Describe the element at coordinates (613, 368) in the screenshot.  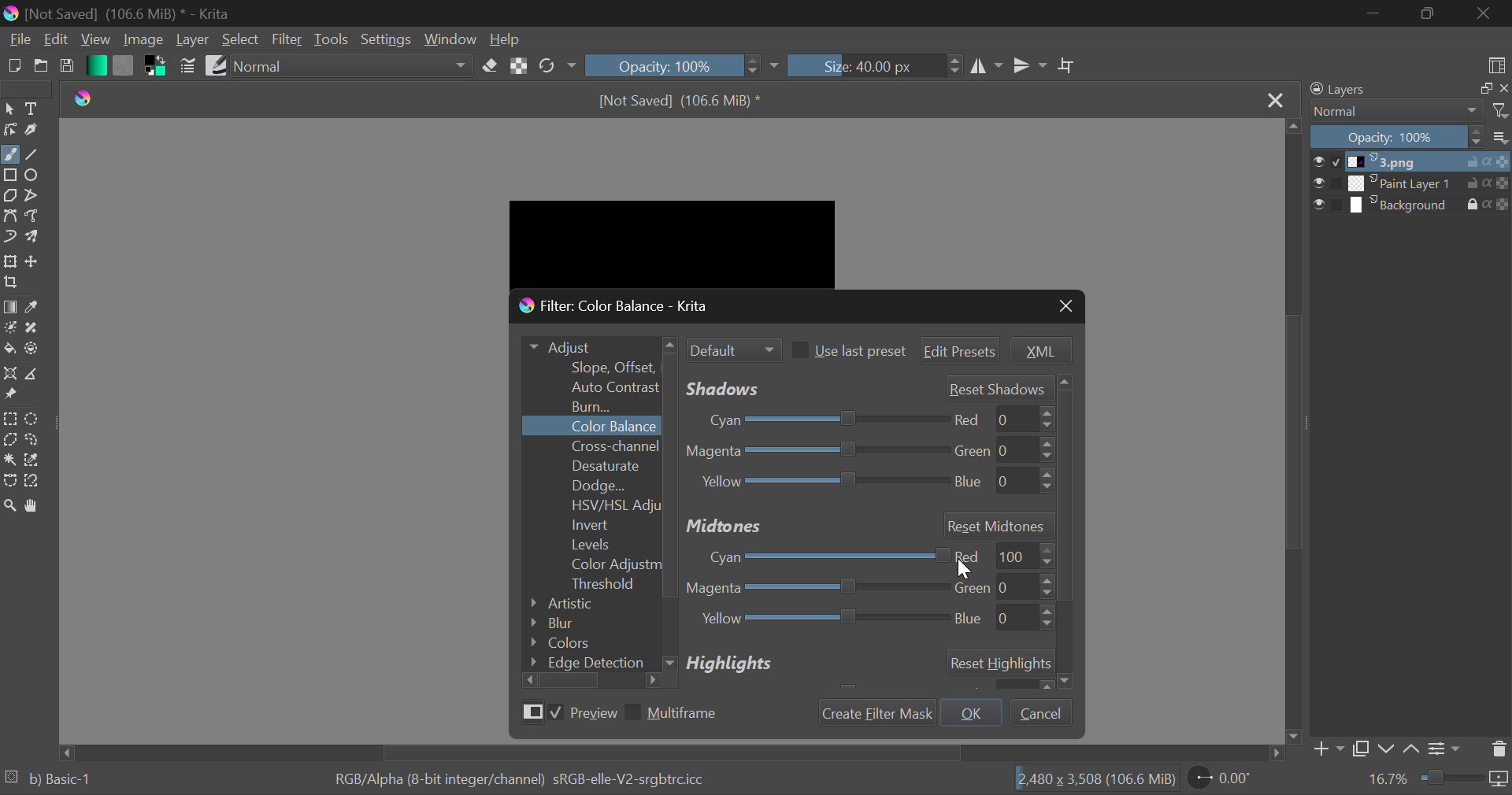
I see `Slope Offset` at that location.